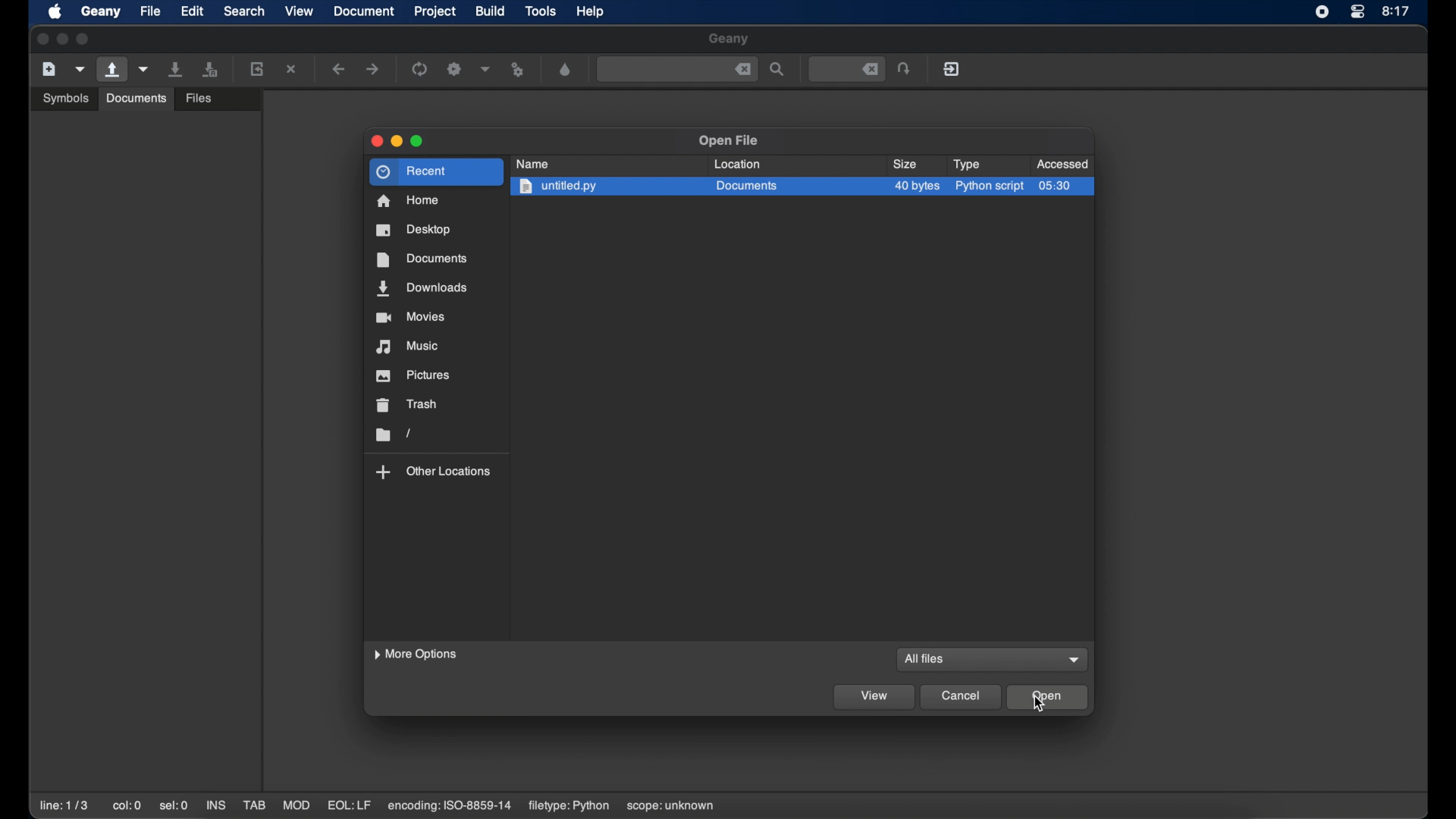 This screenshot has height=819, width=1456. What do you see at coordinates (377, 141) in the screenshot?
I see `close` at bounding box center [377, 141].